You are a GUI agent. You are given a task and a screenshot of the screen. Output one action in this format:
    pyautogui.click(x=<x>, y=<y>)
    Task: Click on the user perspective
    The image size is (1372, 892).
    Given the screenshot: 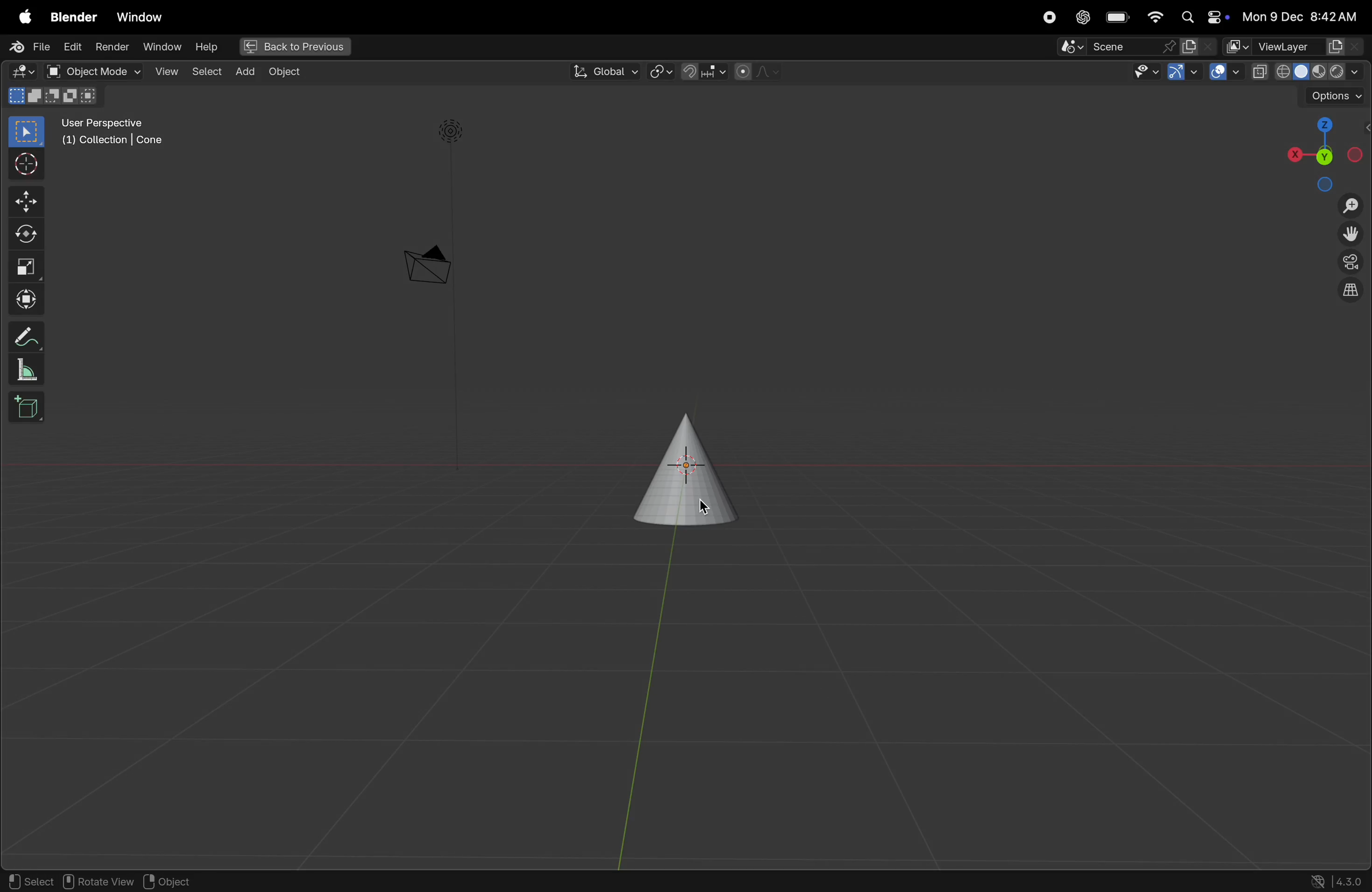 What is the action you would take?
    pyautogui.click(x=114, y=130)
    